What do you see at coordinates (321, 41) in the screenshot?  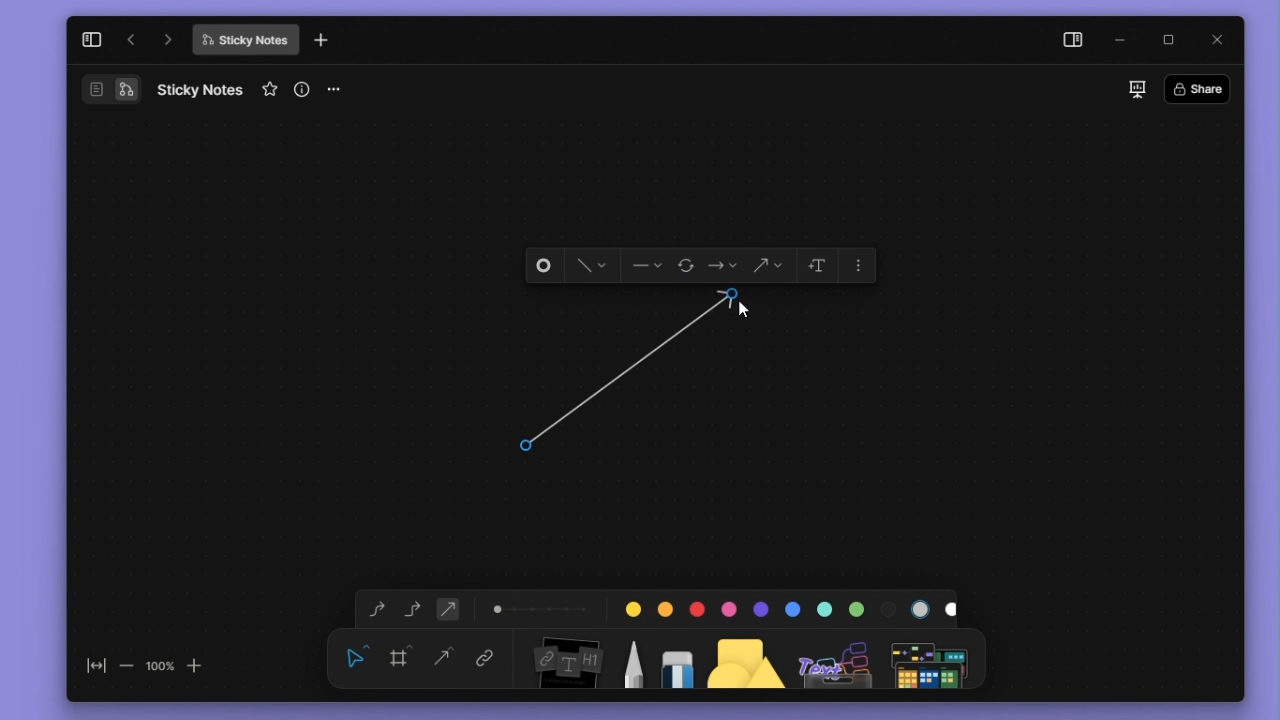 I see `new tab` at bounding box center [321, 41].